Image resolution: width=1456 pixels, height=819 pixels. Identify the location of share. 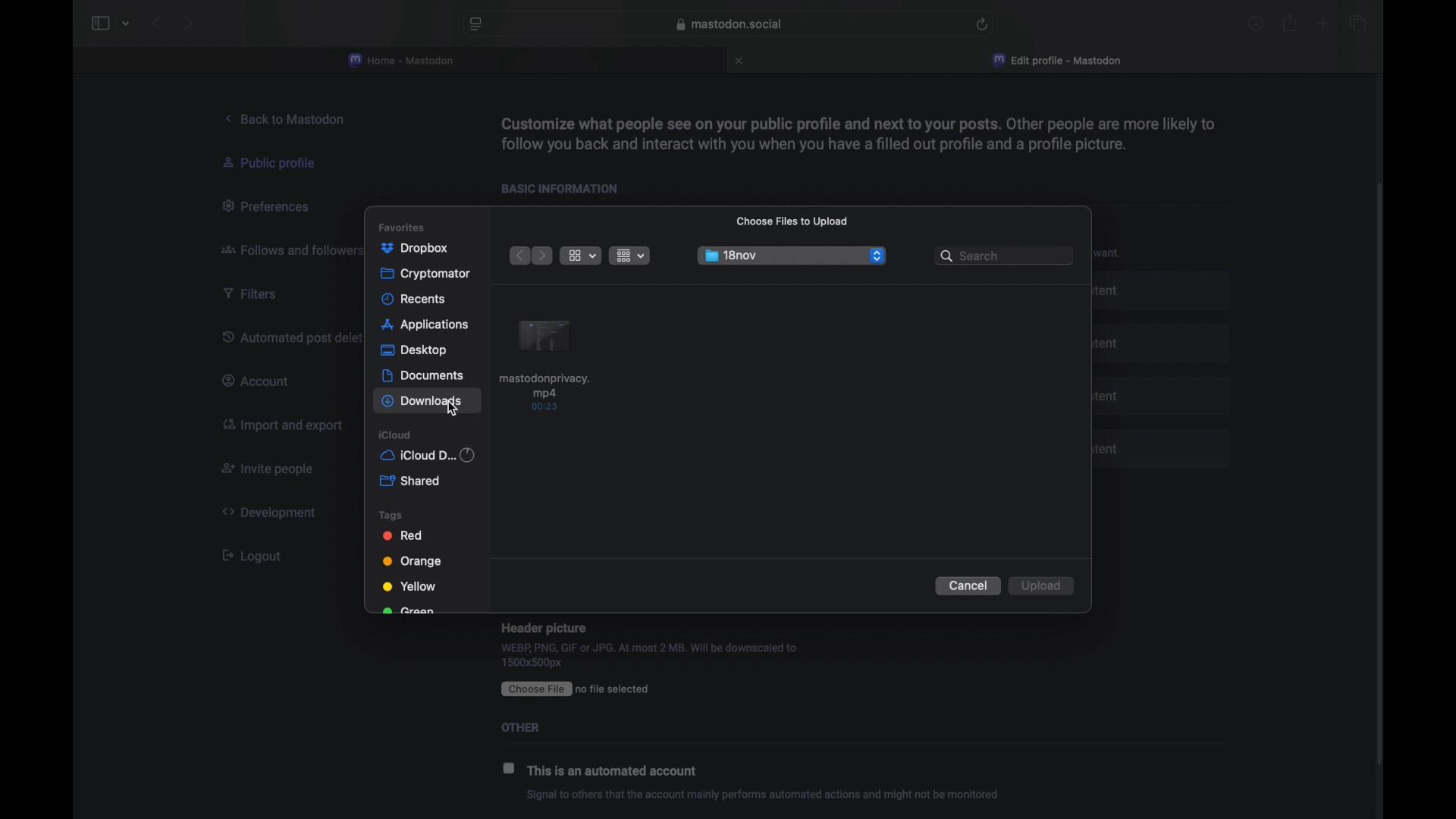
(1291, 23).